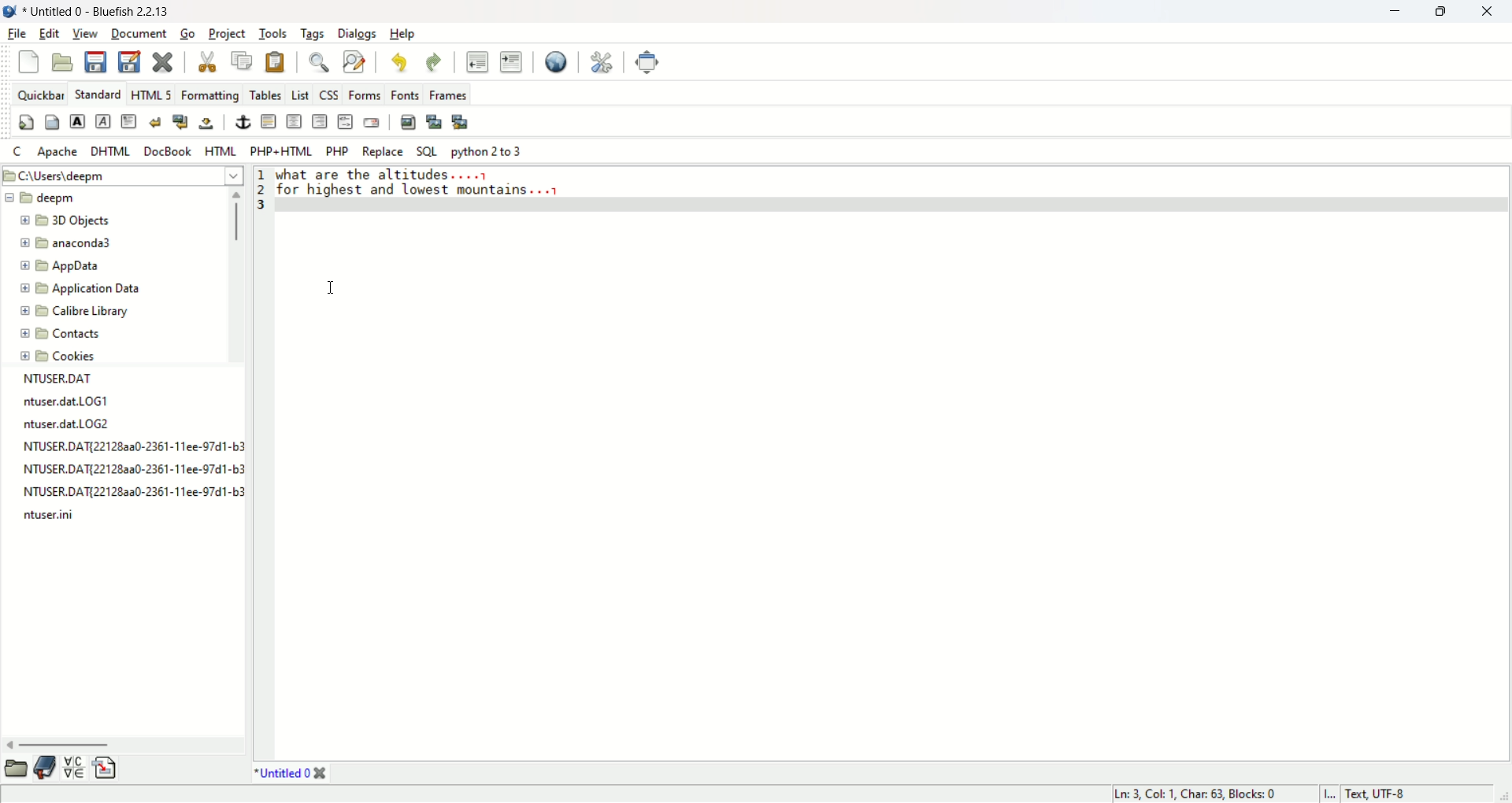 This screenshot has height=803, width=1512. Describe the element at coordinates (60, 356) in the screenshot. I see `cookies` at that location.